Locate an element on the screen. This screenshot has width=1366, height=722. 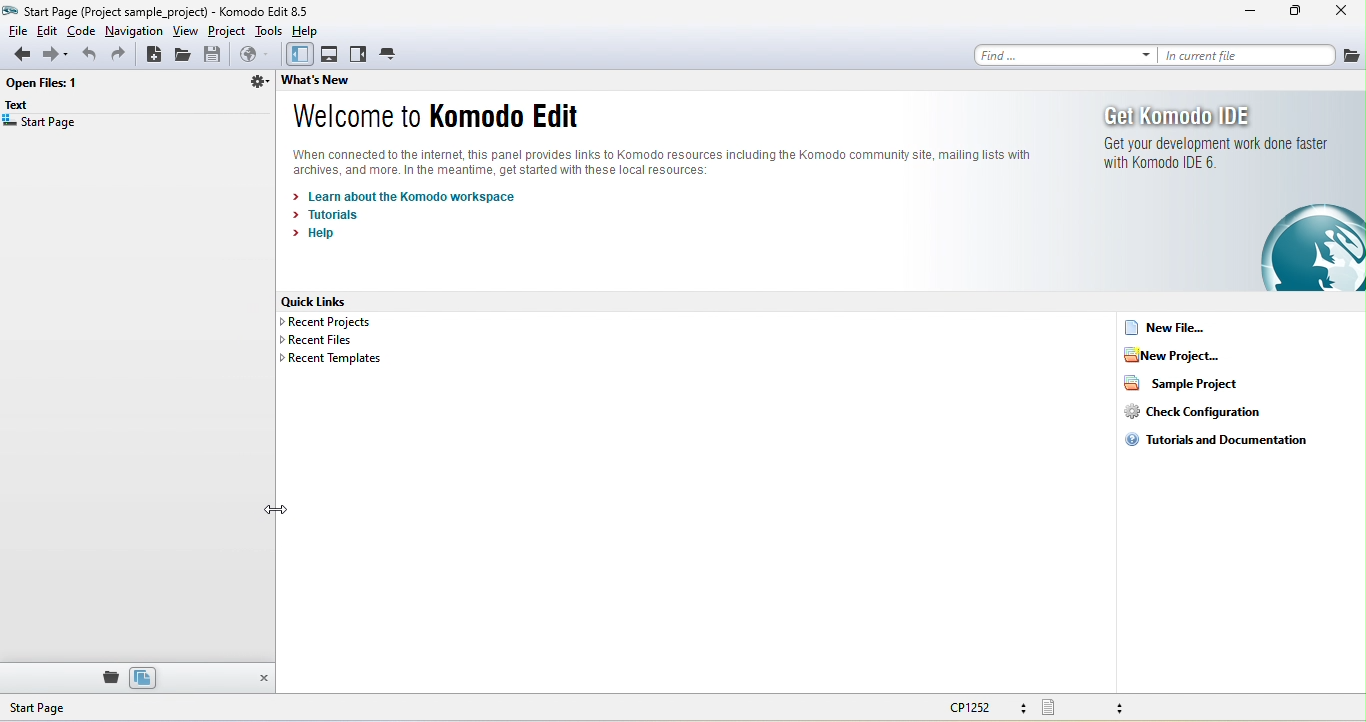
open is located at coordinates (186, 55).